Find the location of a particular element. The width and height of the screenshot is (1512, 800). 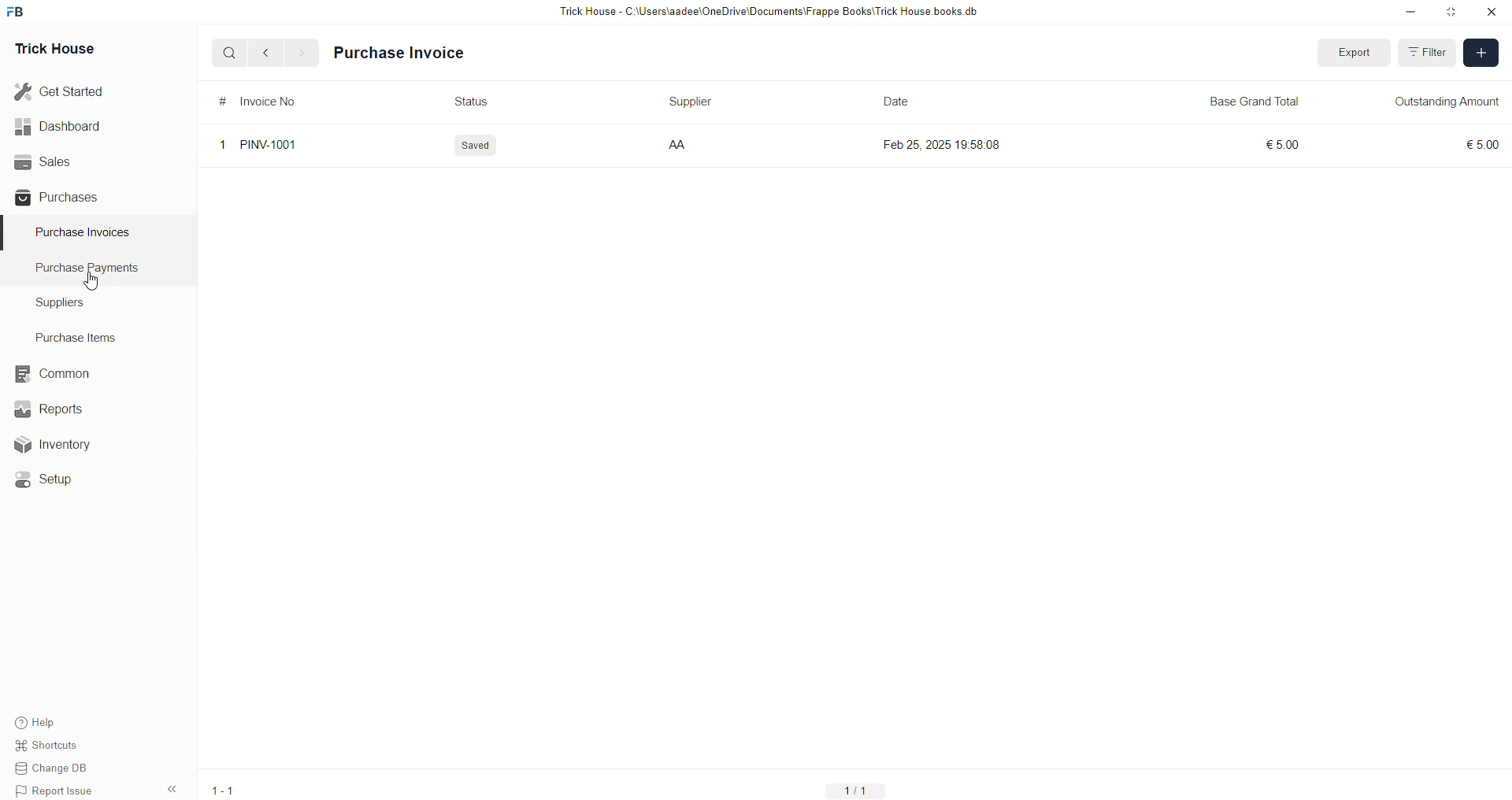

< is located at coordinates (262, 52).